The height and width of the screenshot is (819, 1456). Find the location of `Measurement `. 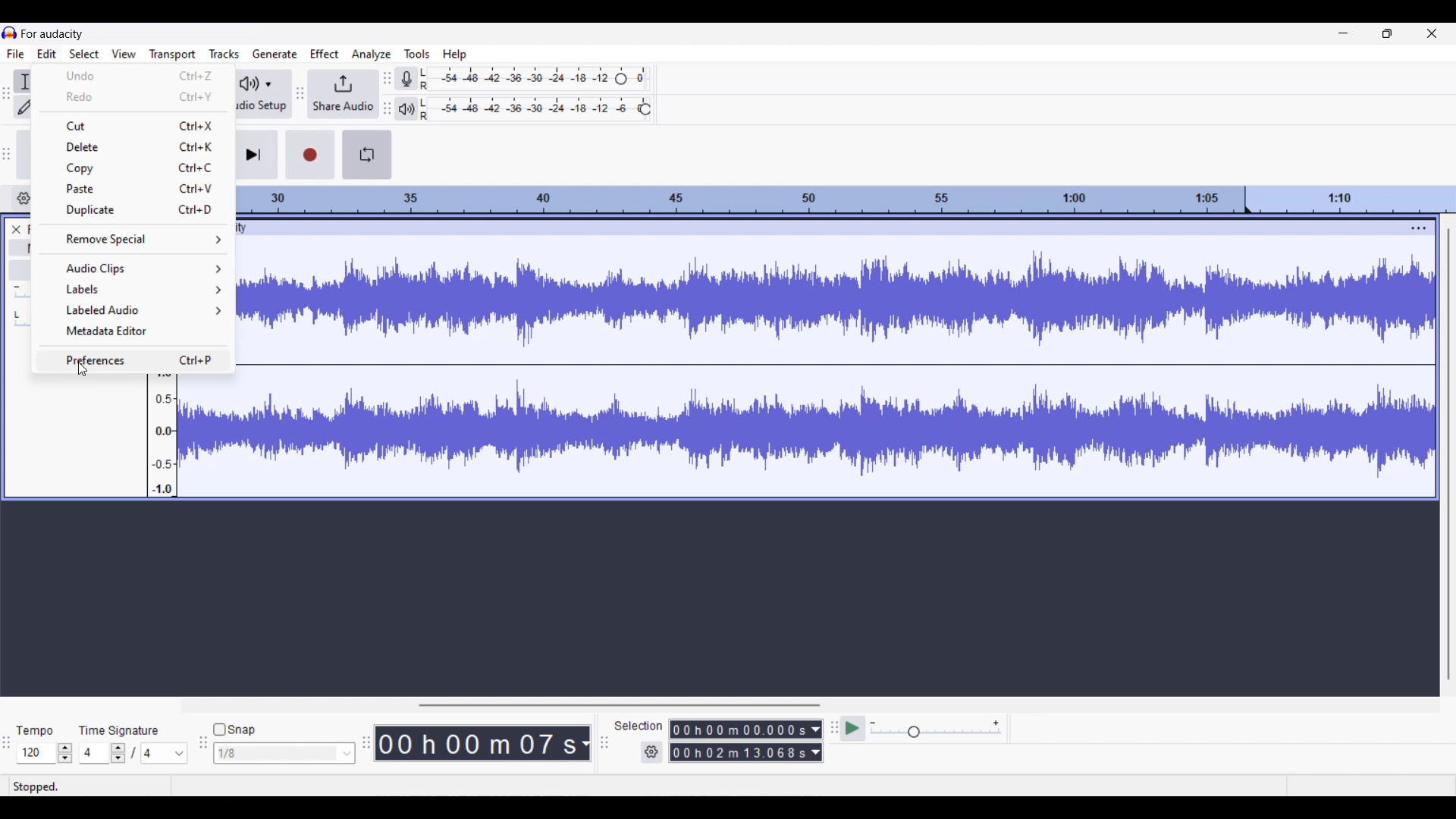

Measurement  is located at coordinates (585, 744).